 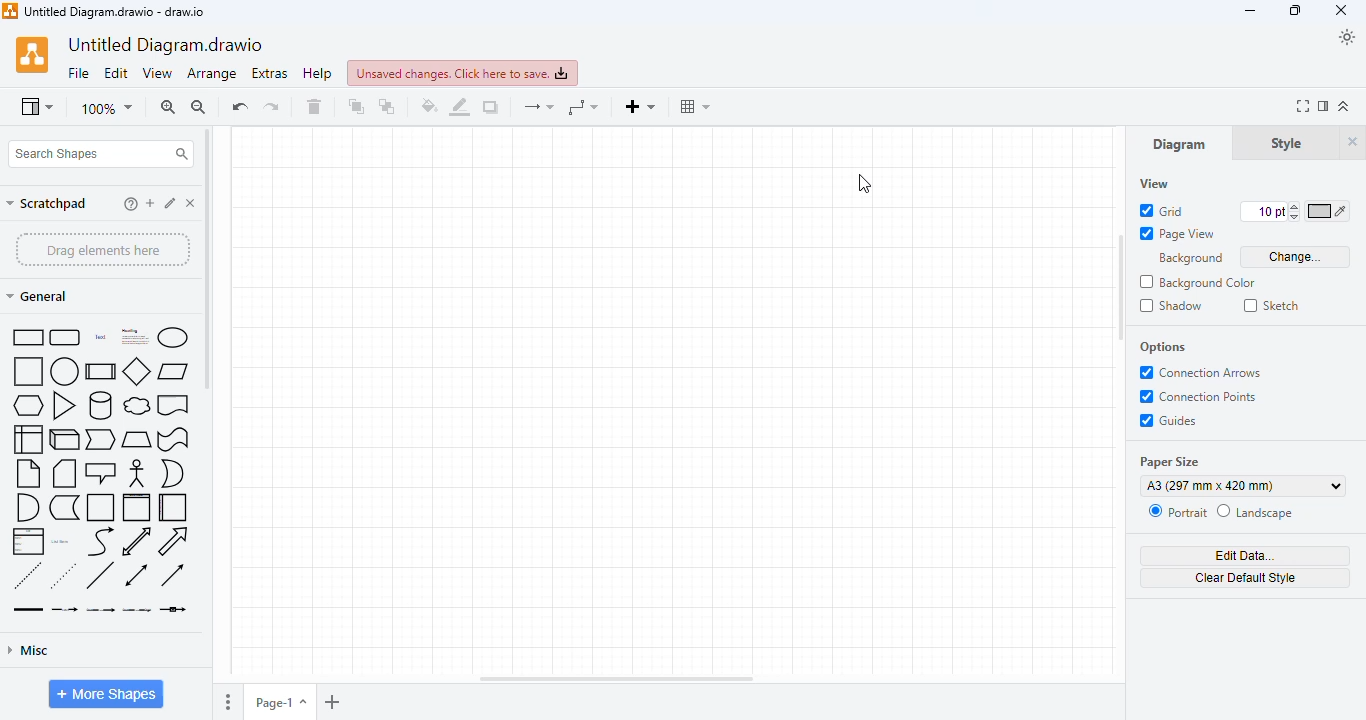 What do you see at coordinates (1154, 184) in the screenshot?
I see `view` at bounding box center [1154, 184].